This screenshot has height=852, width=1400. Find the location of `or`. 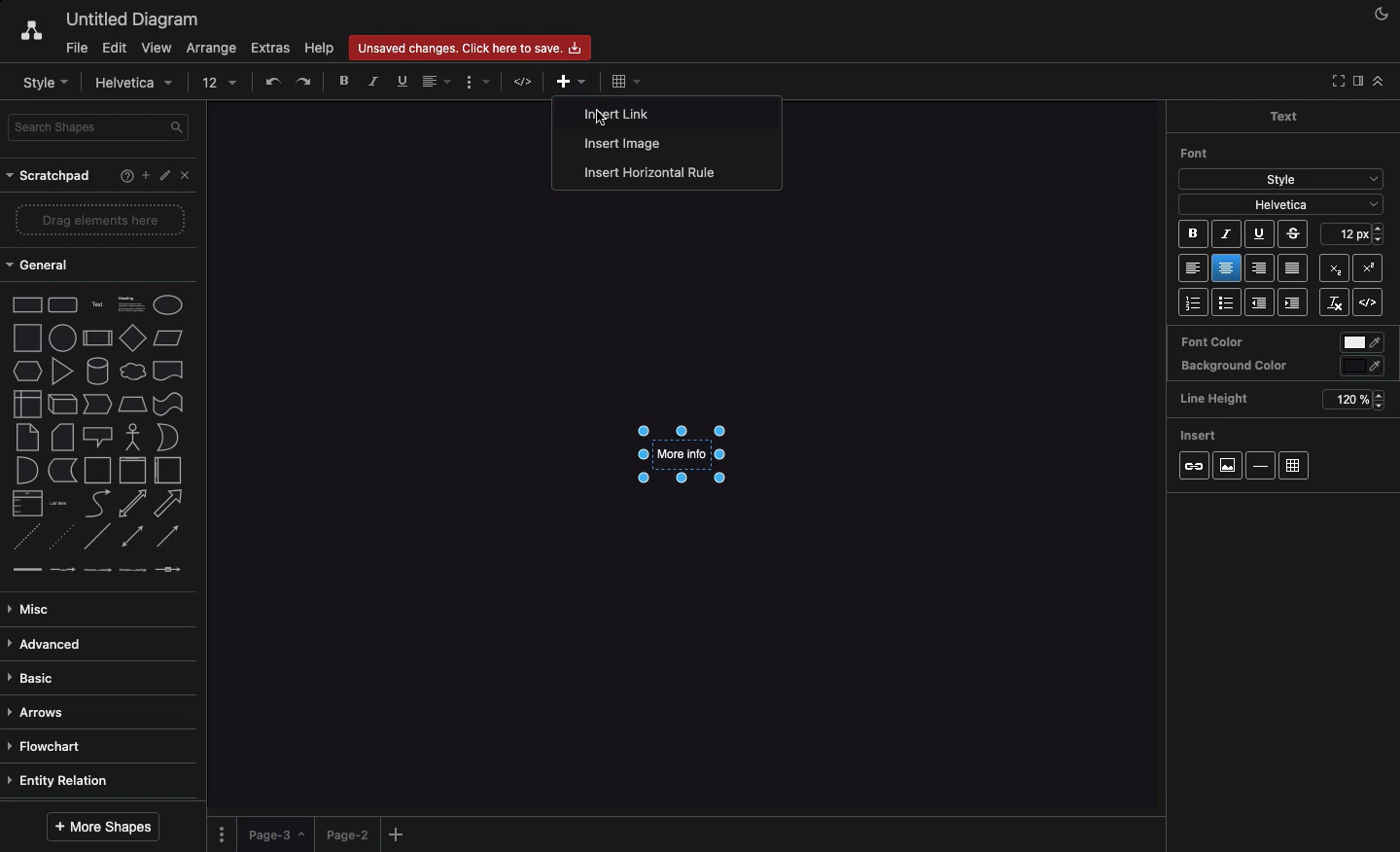

or is located at coordinates (168, 437).